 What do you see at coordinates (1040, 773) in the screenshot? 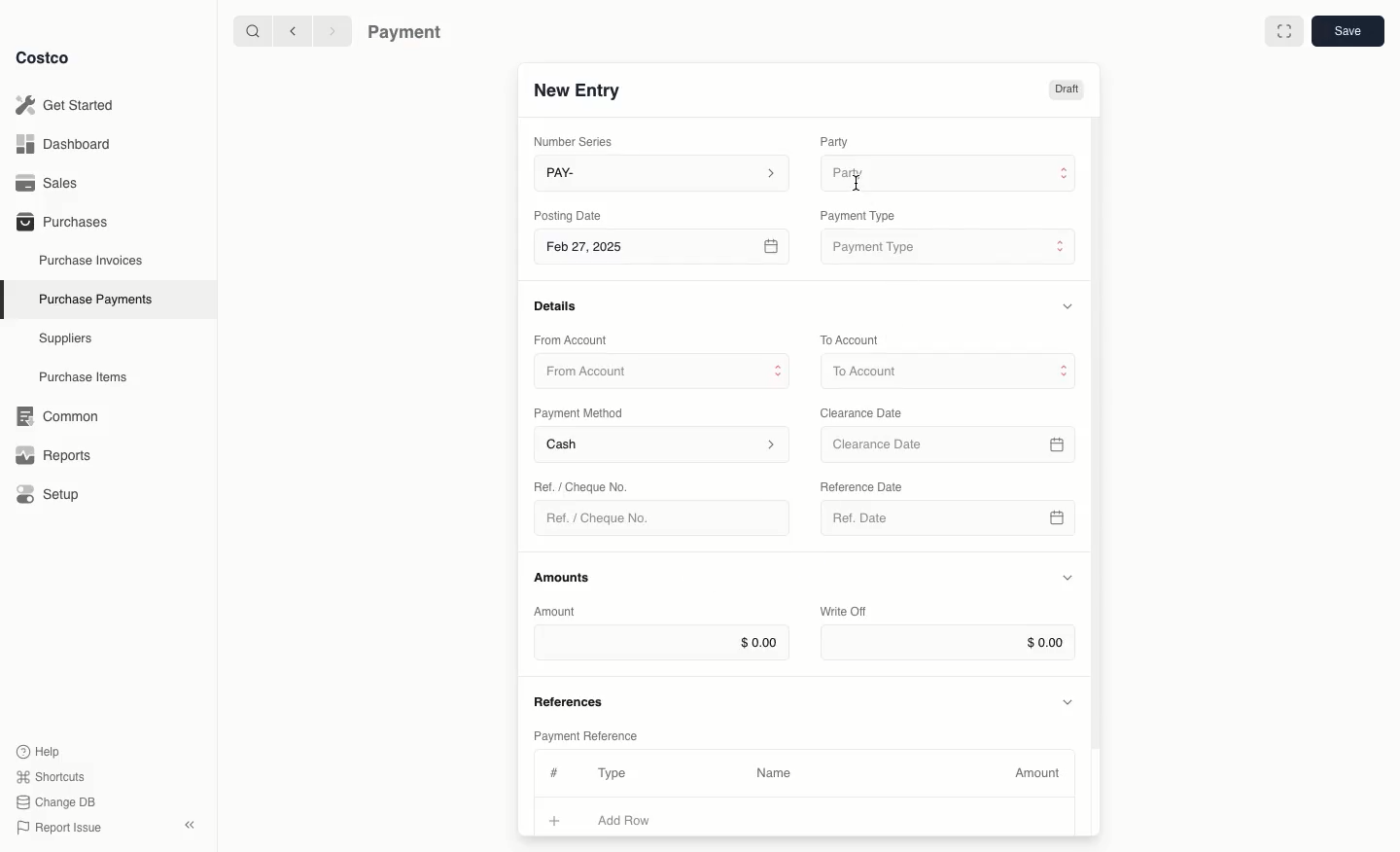
I see `Amount` at bounding box center [1040, 773].